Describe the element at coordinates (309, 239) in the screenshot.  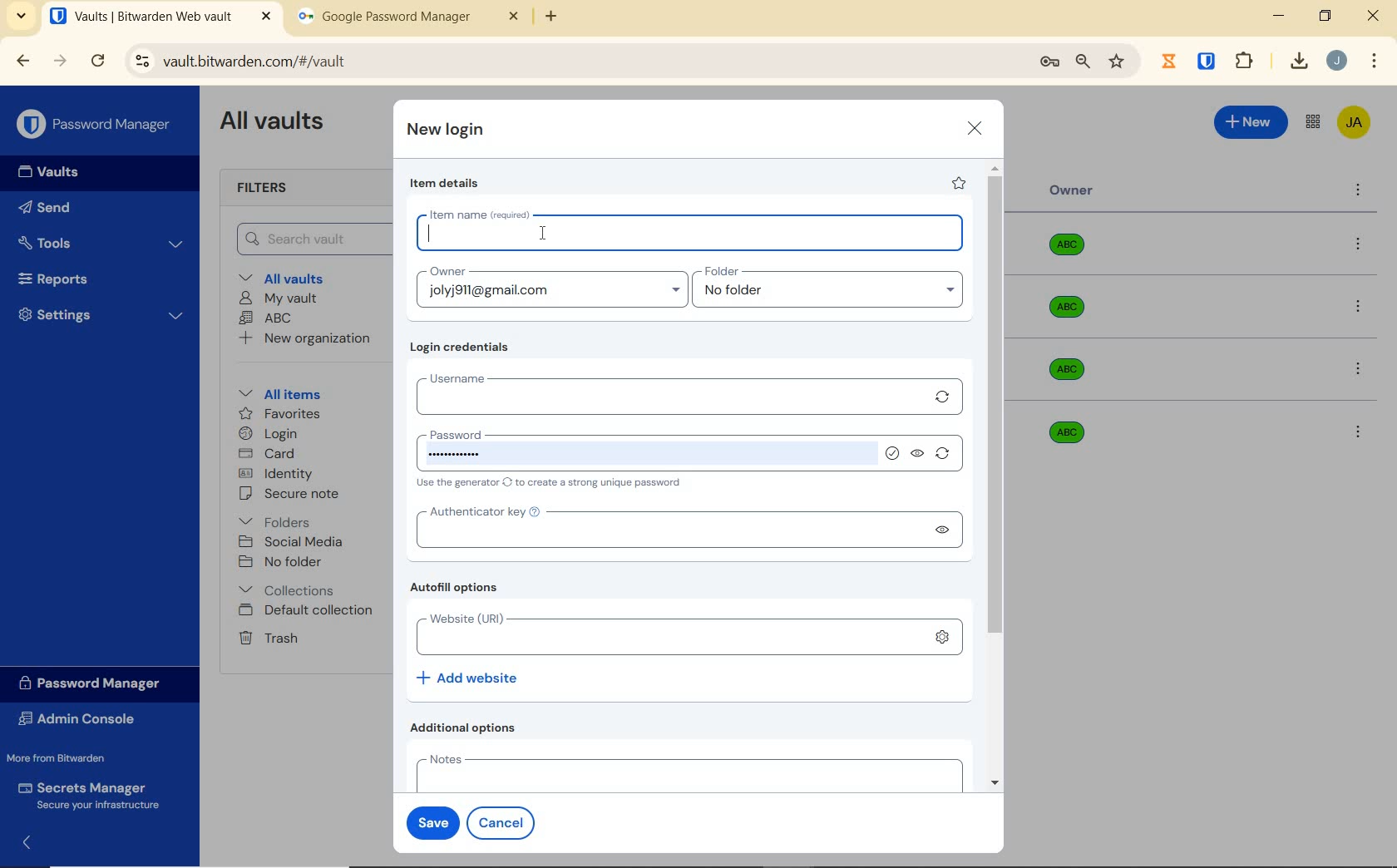
I see `Search Vault` at that location.